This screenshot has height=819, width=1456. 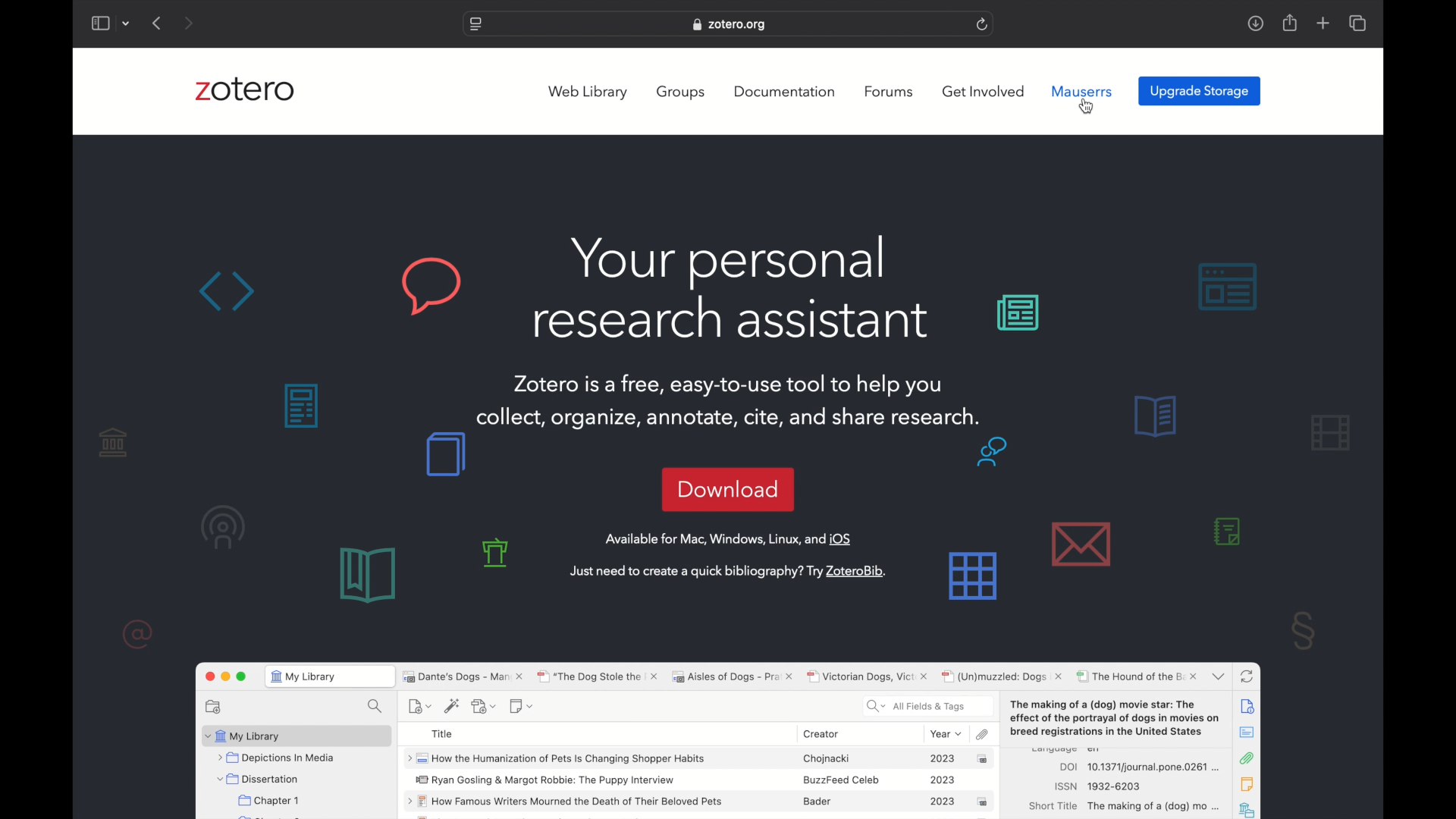 What do you see at coordinates (1242, 521) in the screenshot?
I see `background graphics` at bounding box center [1242, 521].